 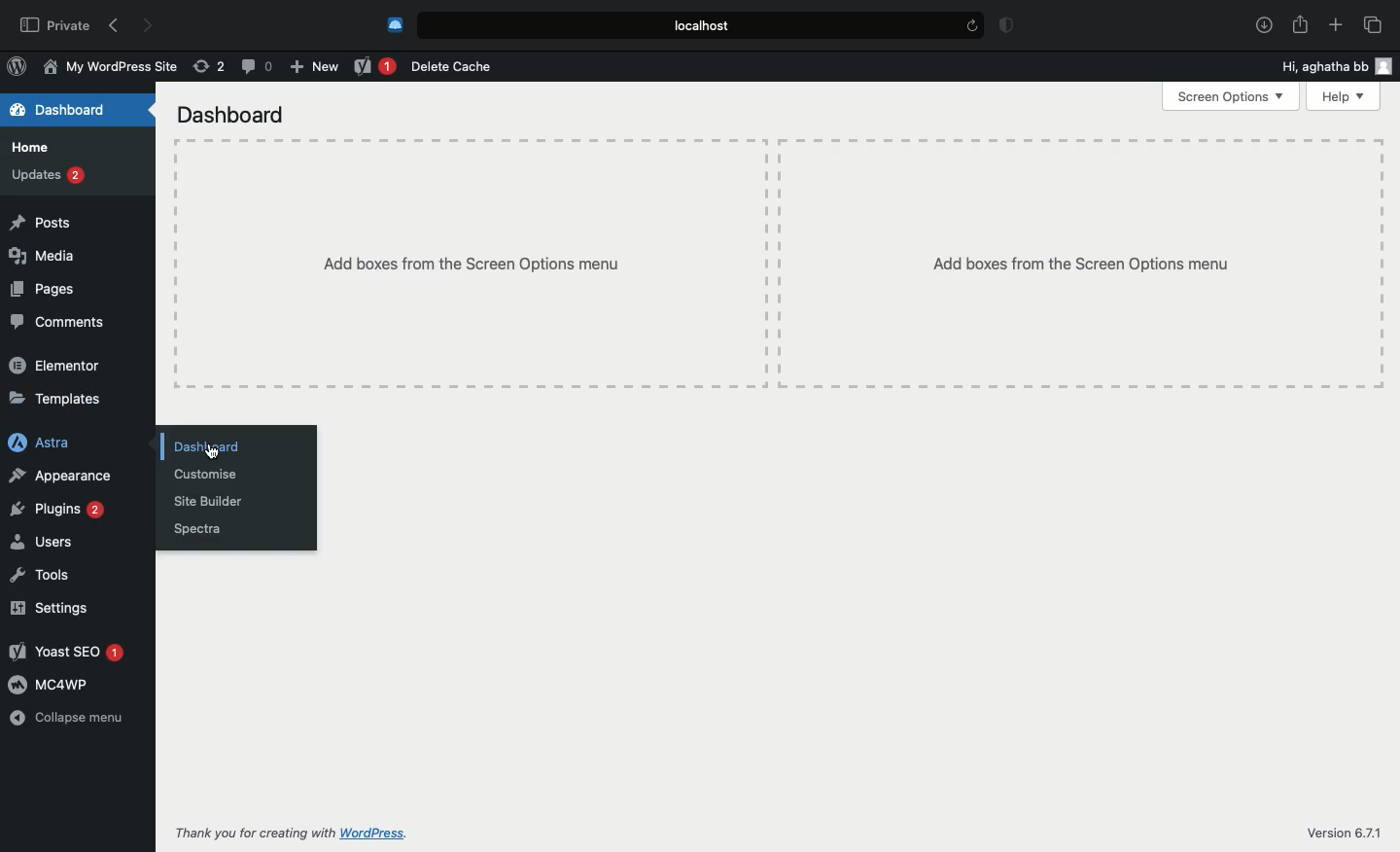 I want to click on WordPress, so click(x=430, y=832).